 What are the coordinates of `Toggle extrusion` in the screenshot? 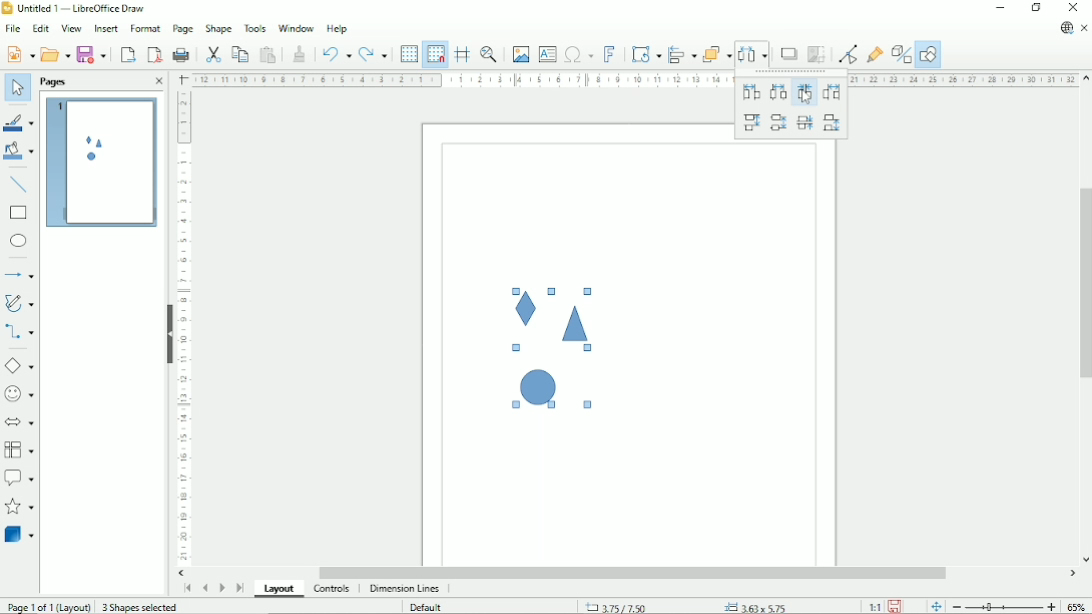 It's located at (901, 55).